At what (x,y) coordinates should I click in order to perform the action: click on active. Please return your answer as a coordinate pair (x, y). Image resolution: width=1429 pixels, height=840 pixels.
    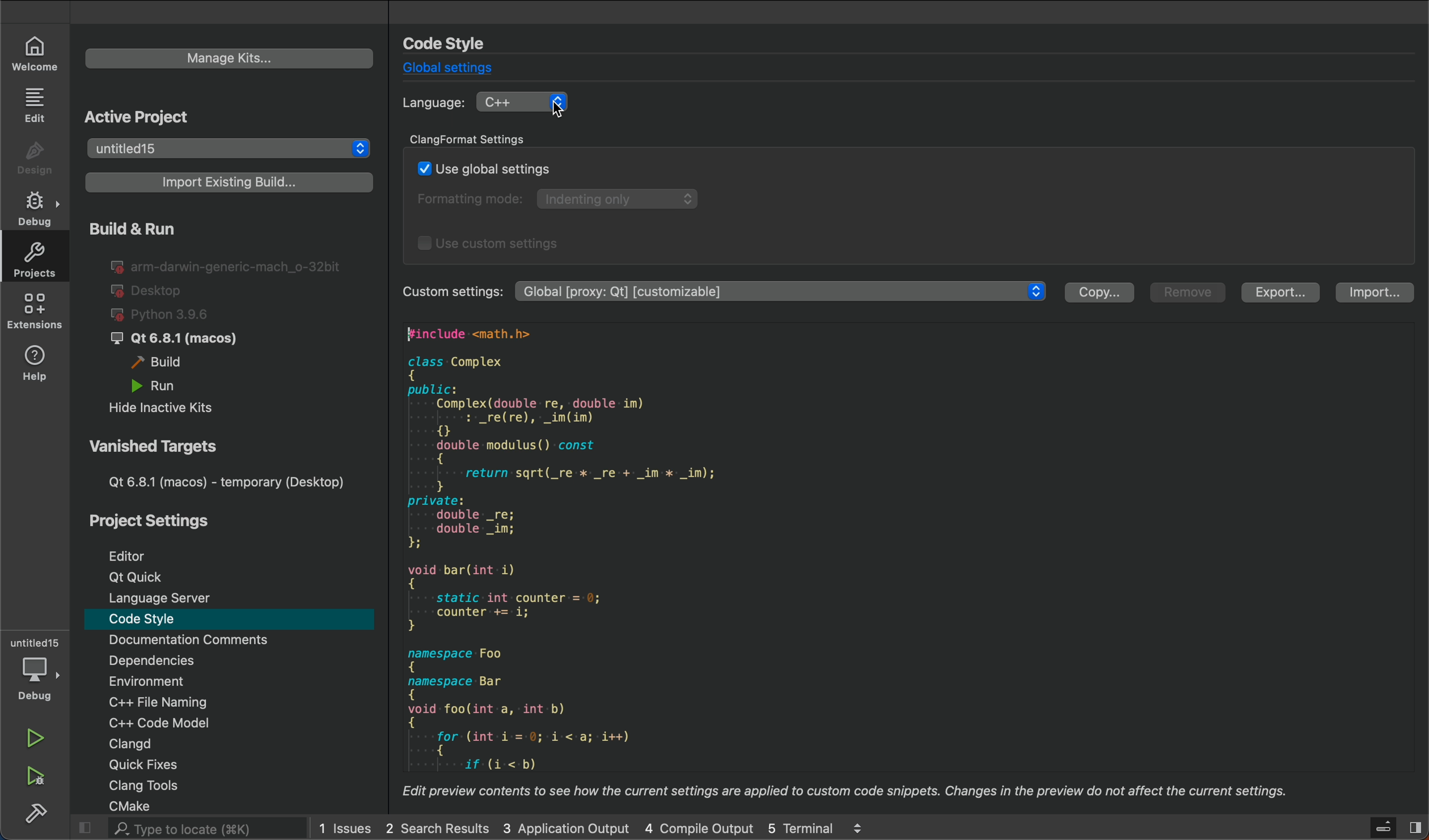
    Looking at the image, I should click on (142, 115).